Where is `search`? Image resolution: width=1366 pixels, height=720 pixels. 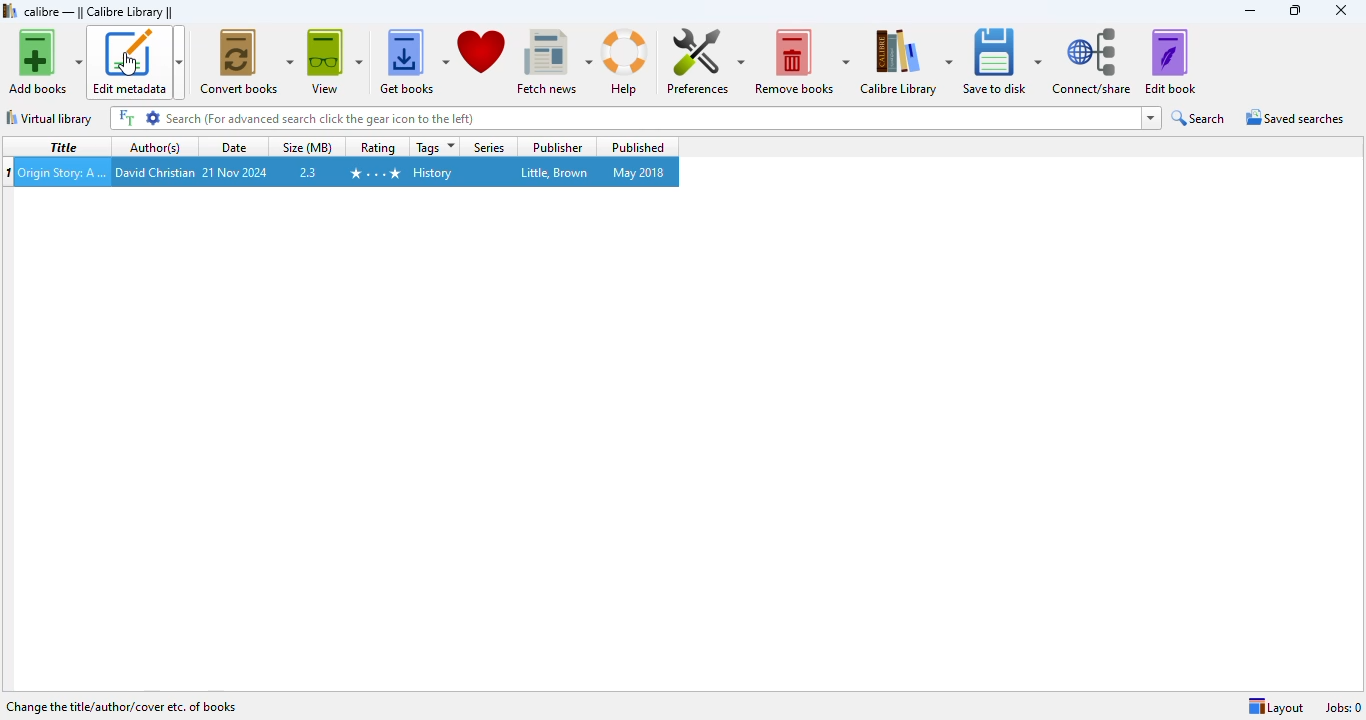 search is located at coordinates (625, 118).